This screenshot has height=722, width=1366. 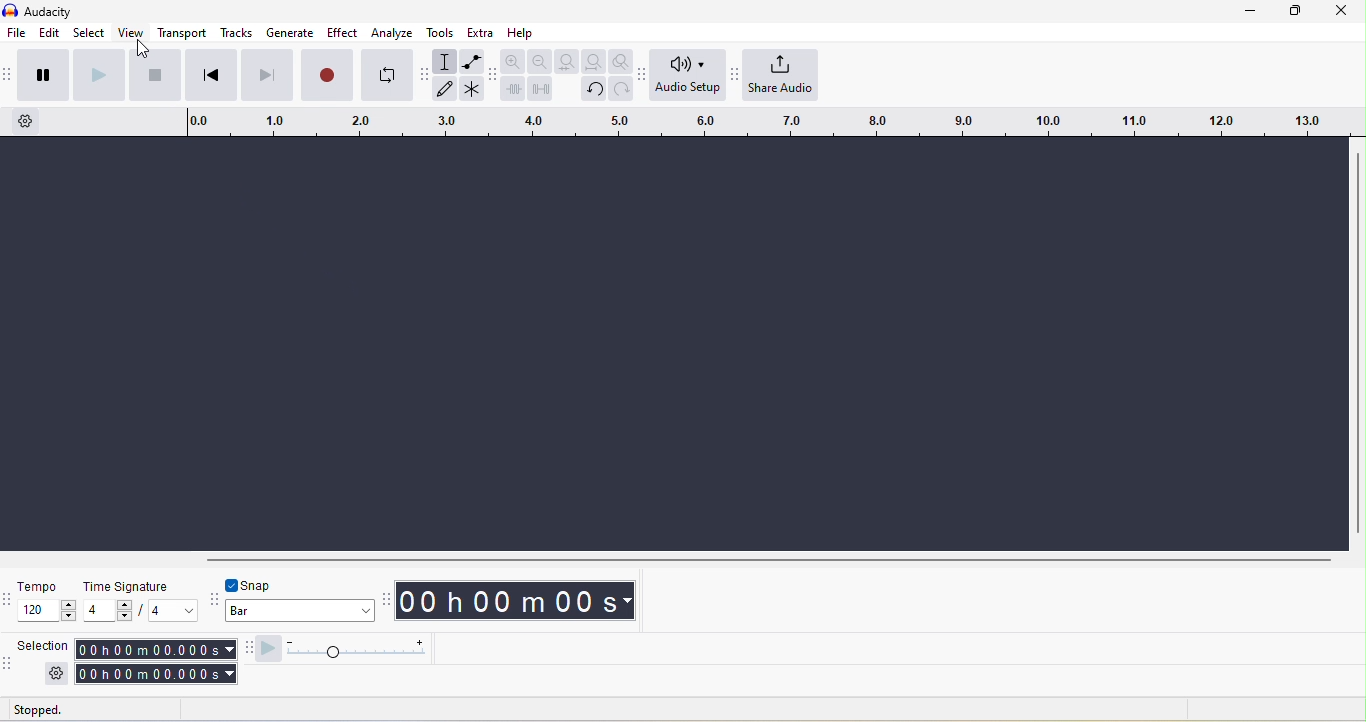 I want to click on envelop tool, so click(x=473, y=61).